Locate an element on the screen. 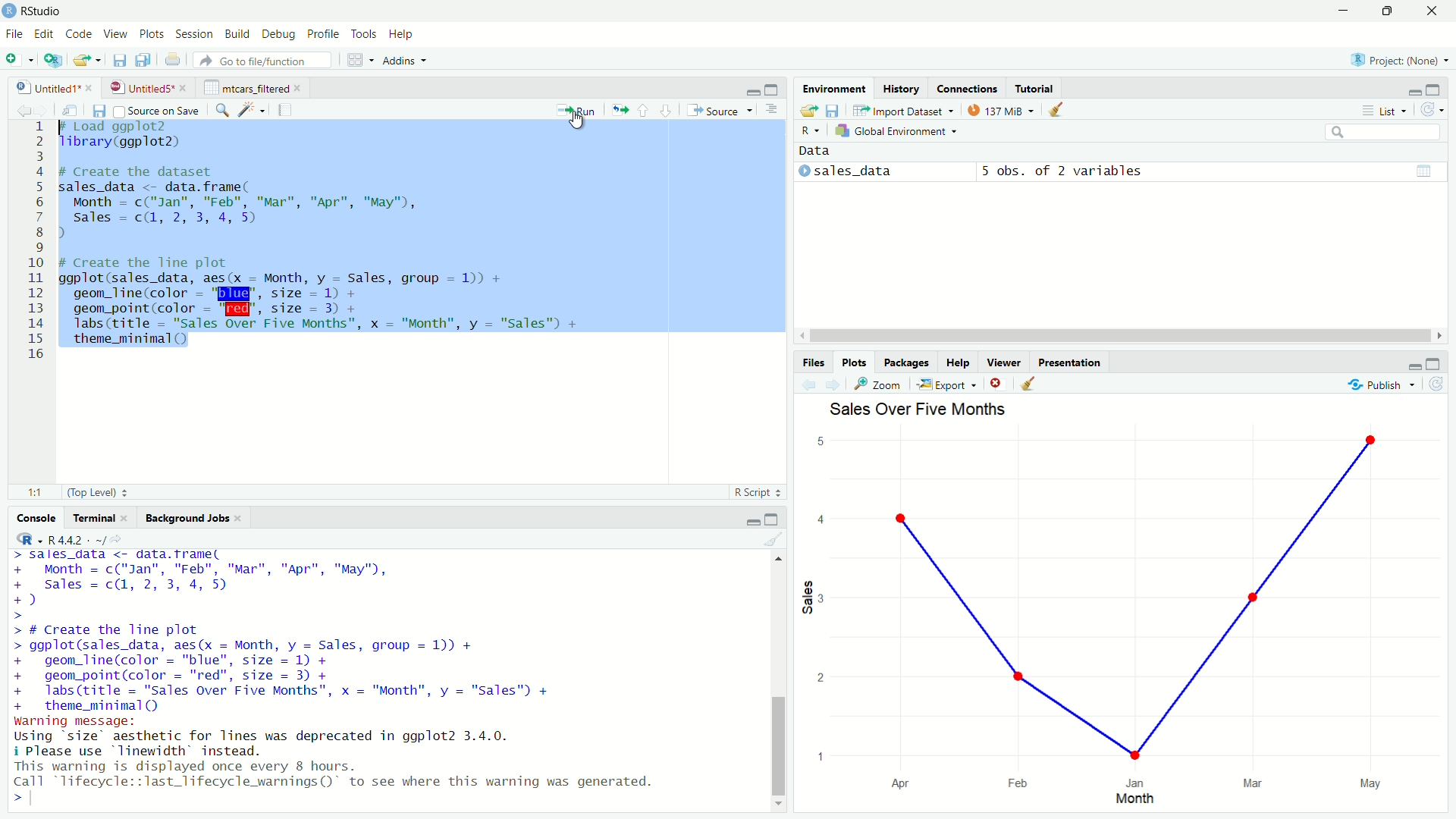 The width and height of the screenshot is (1456, 819). new file is located at coordinates (16, 60).